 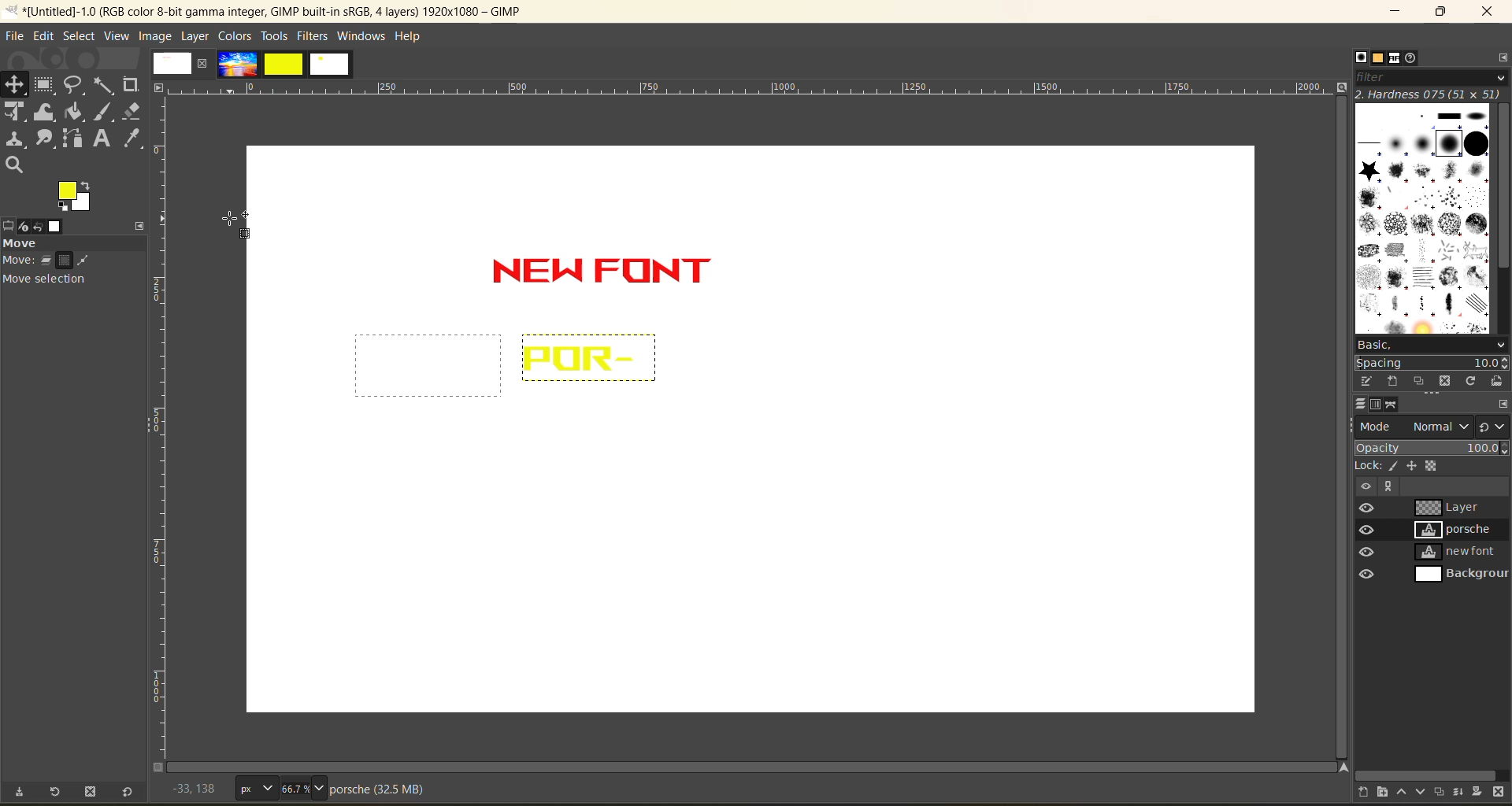 What do you see at coordinates (1432, 362) in the screenshot?
I see `spacing` at bounding box center [1432, 362].